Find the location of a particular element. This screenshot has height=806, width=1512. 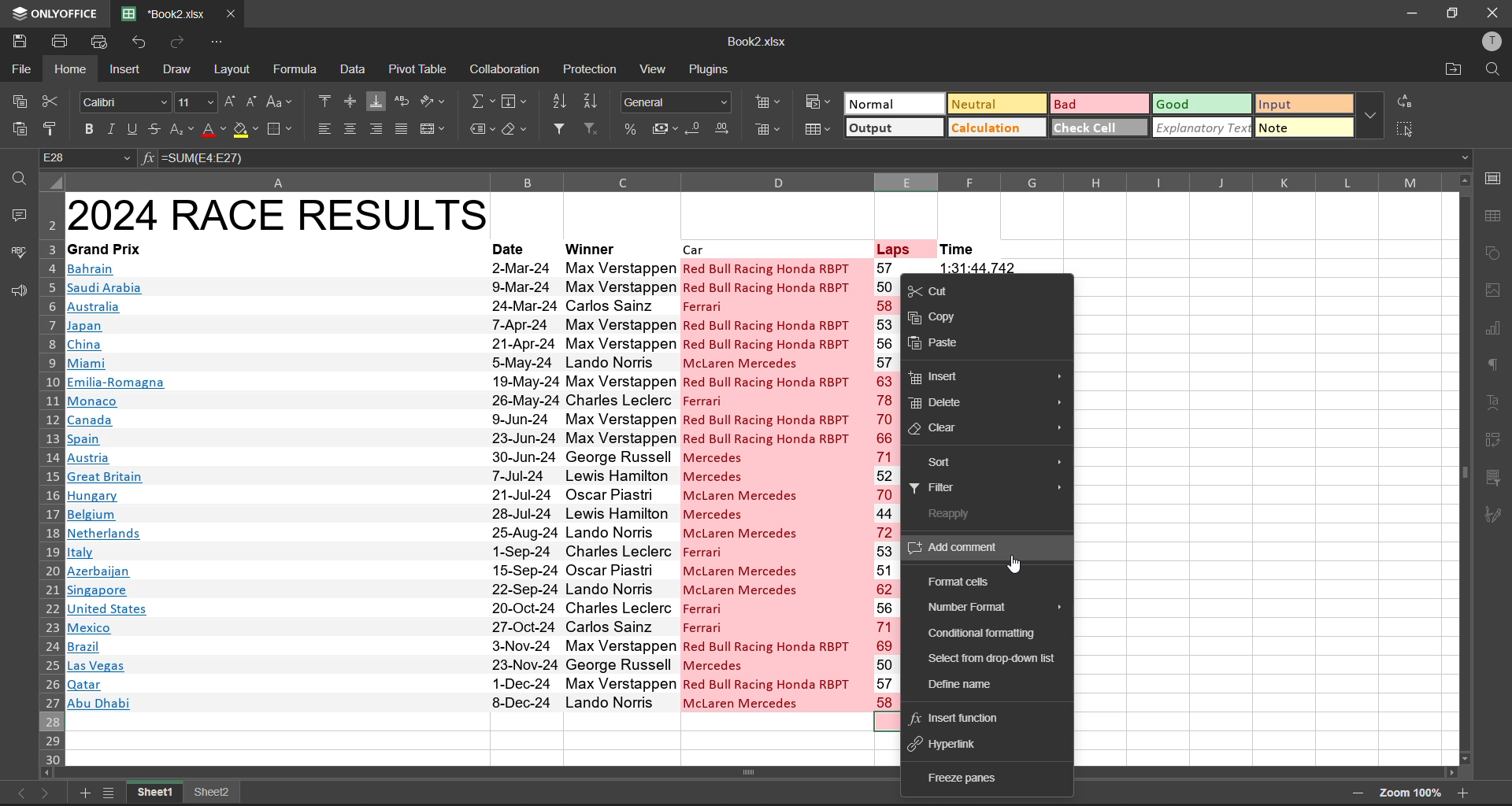

open location is located at coordinates (1455, 69).